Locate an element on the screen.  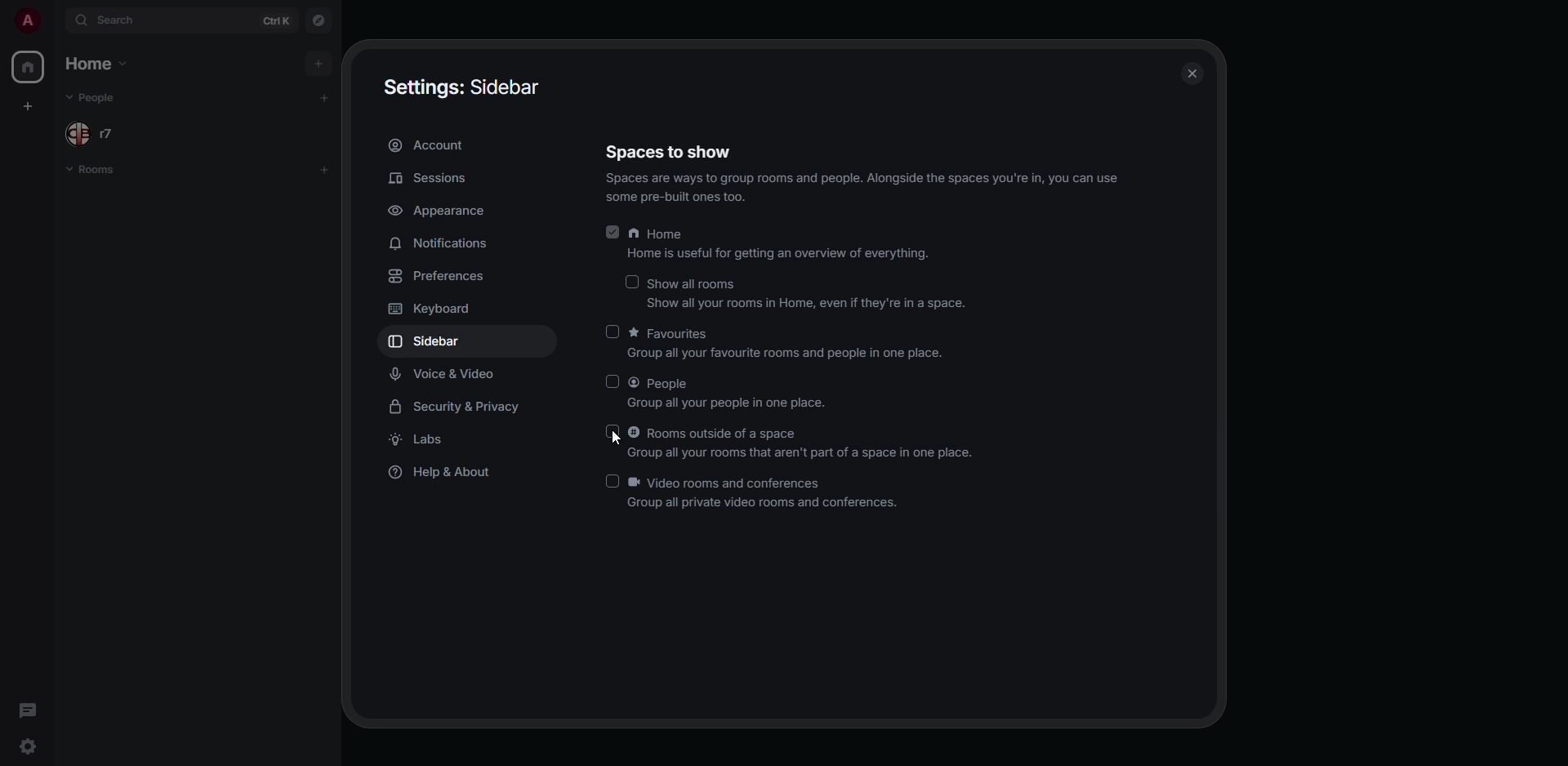
click to enable is located at coordinates (611, 330).